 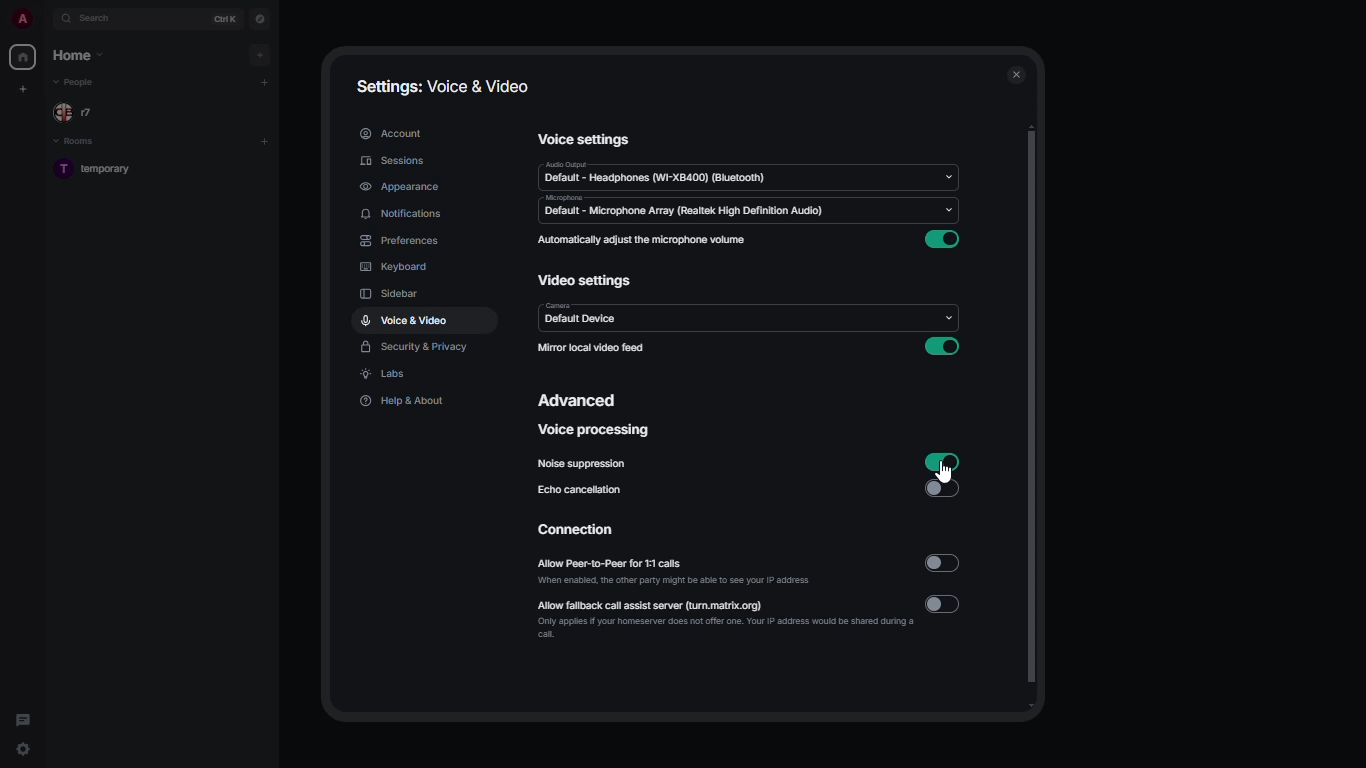 What do you see at coordinates (656, 174) in the screenshot?
I see `audio default` at bounding box center [656, 174].